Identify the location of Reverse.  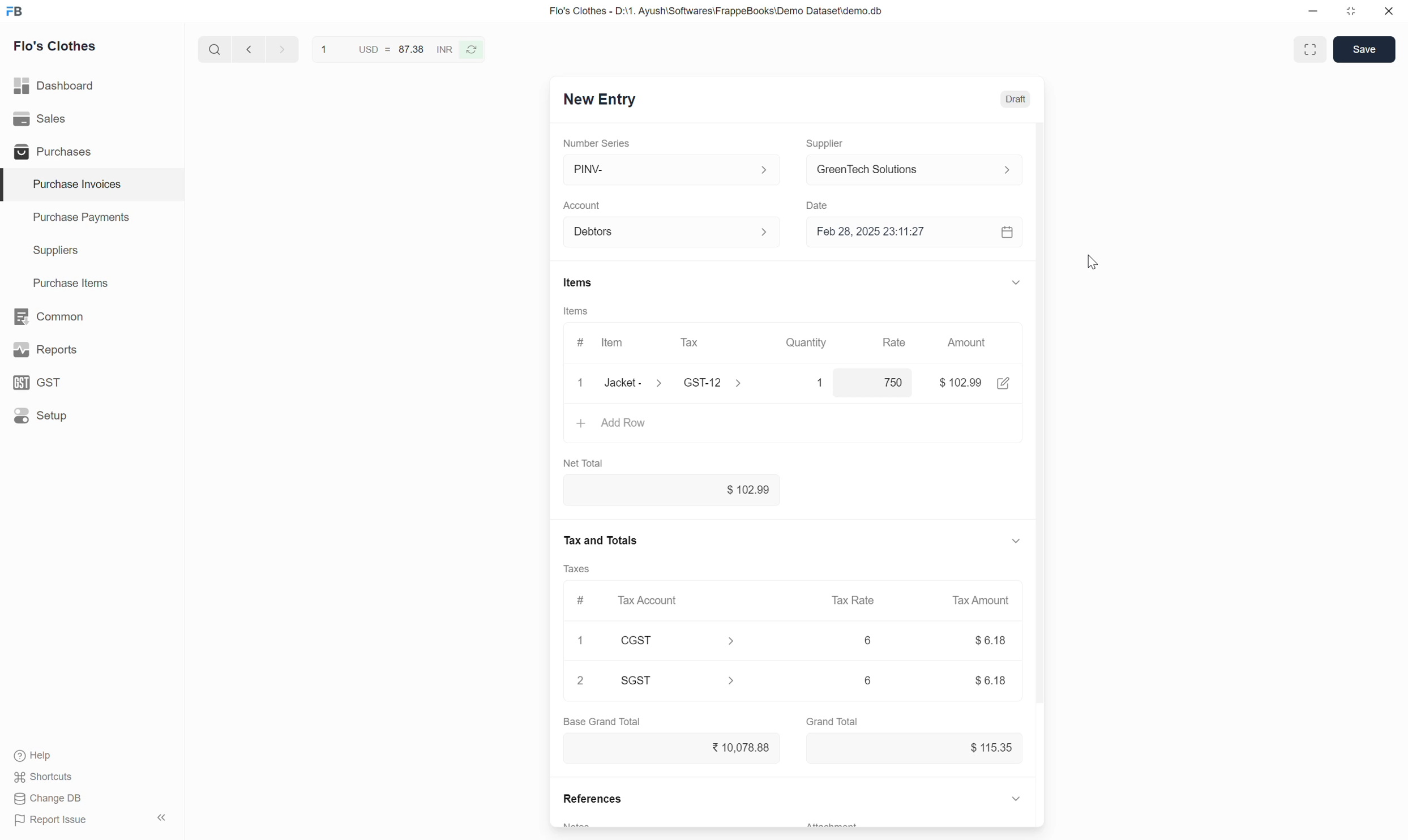
(470, 50).